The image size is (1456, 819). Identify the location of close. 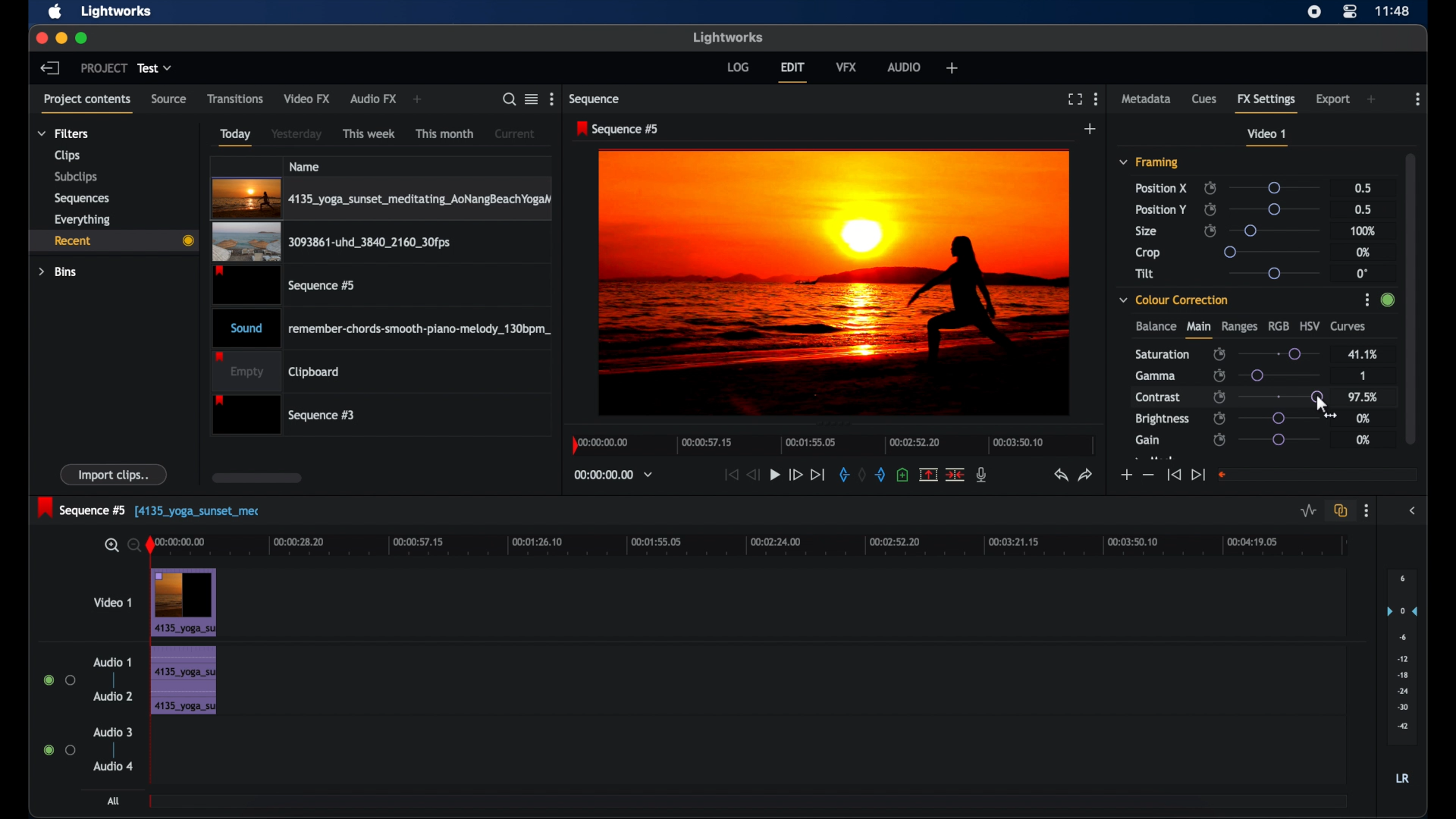
(38, 38).